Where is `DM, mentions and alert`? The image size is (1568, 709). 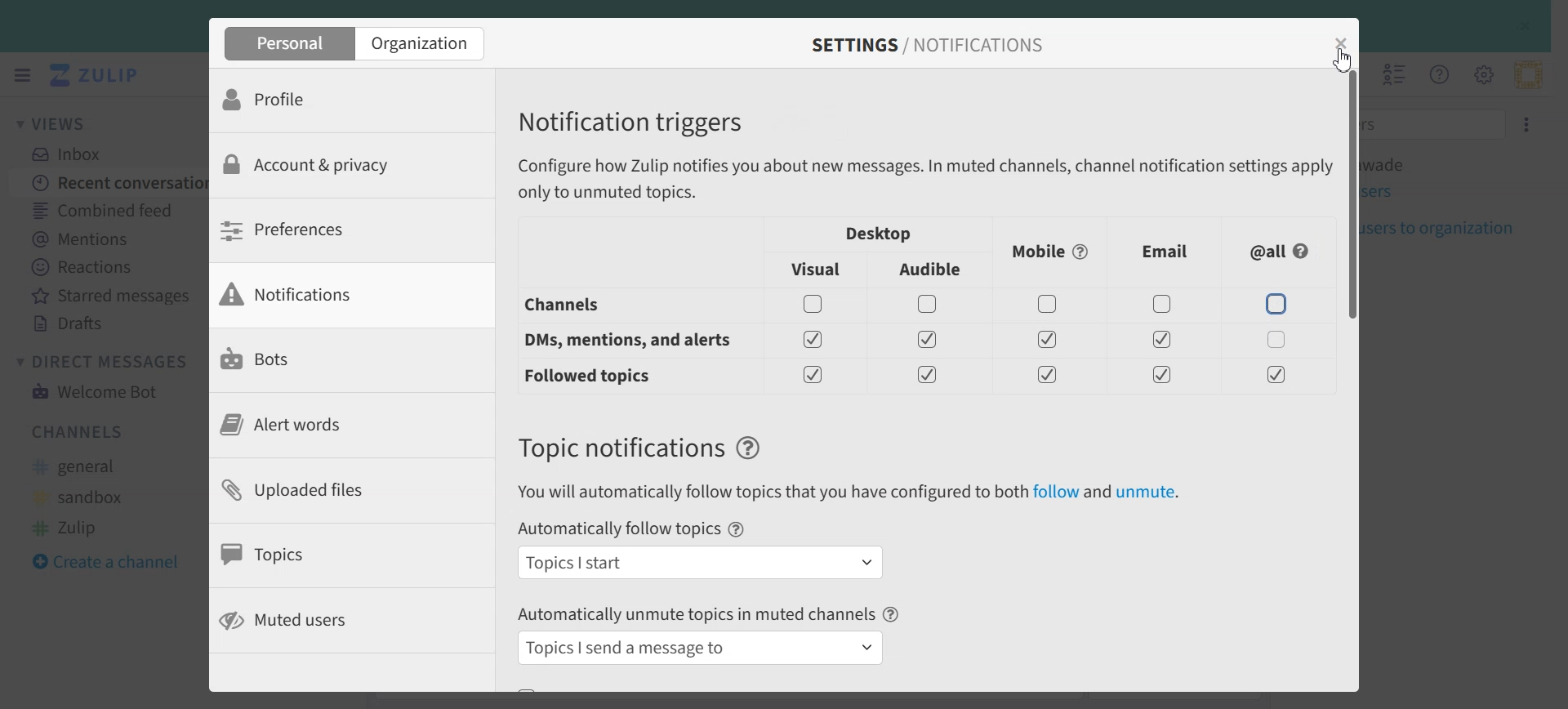 DM, mentions and alert is located at coordinates (624, 341).